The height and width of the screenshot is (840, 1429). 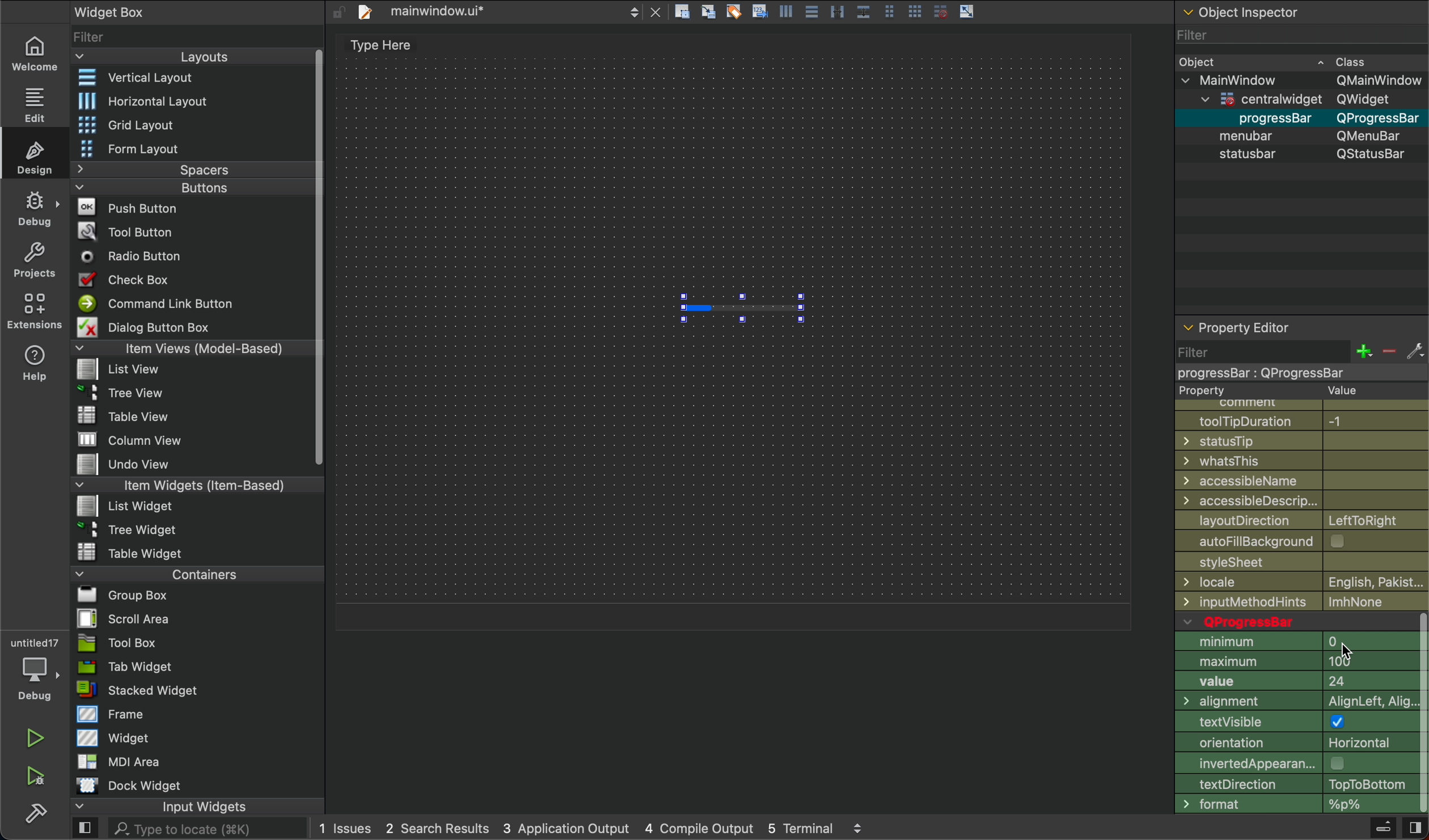 I want to click on run, so click(x=36, y=738).